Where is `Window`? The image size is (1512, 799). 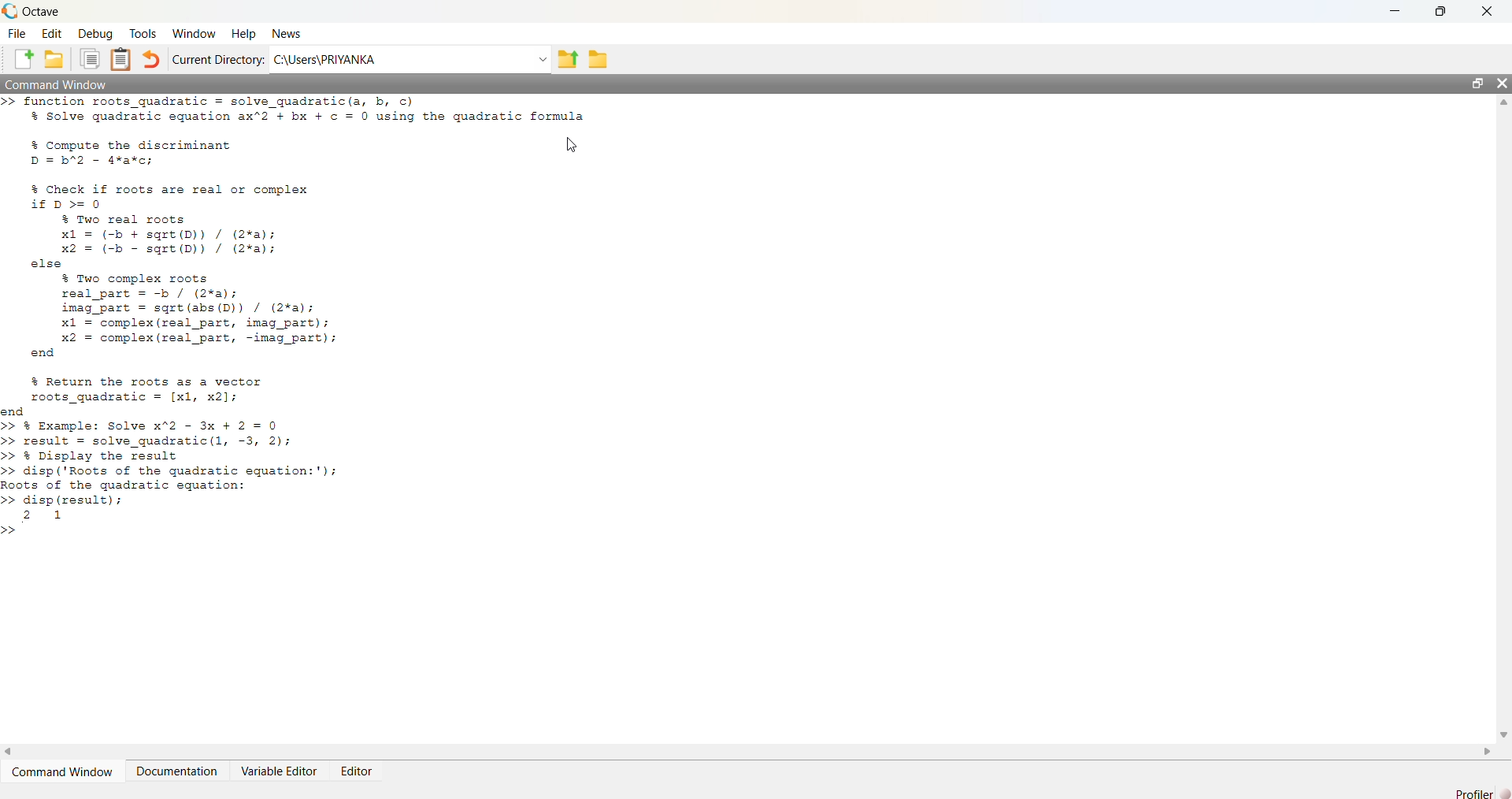
Window is located at coordinates (193, 32).